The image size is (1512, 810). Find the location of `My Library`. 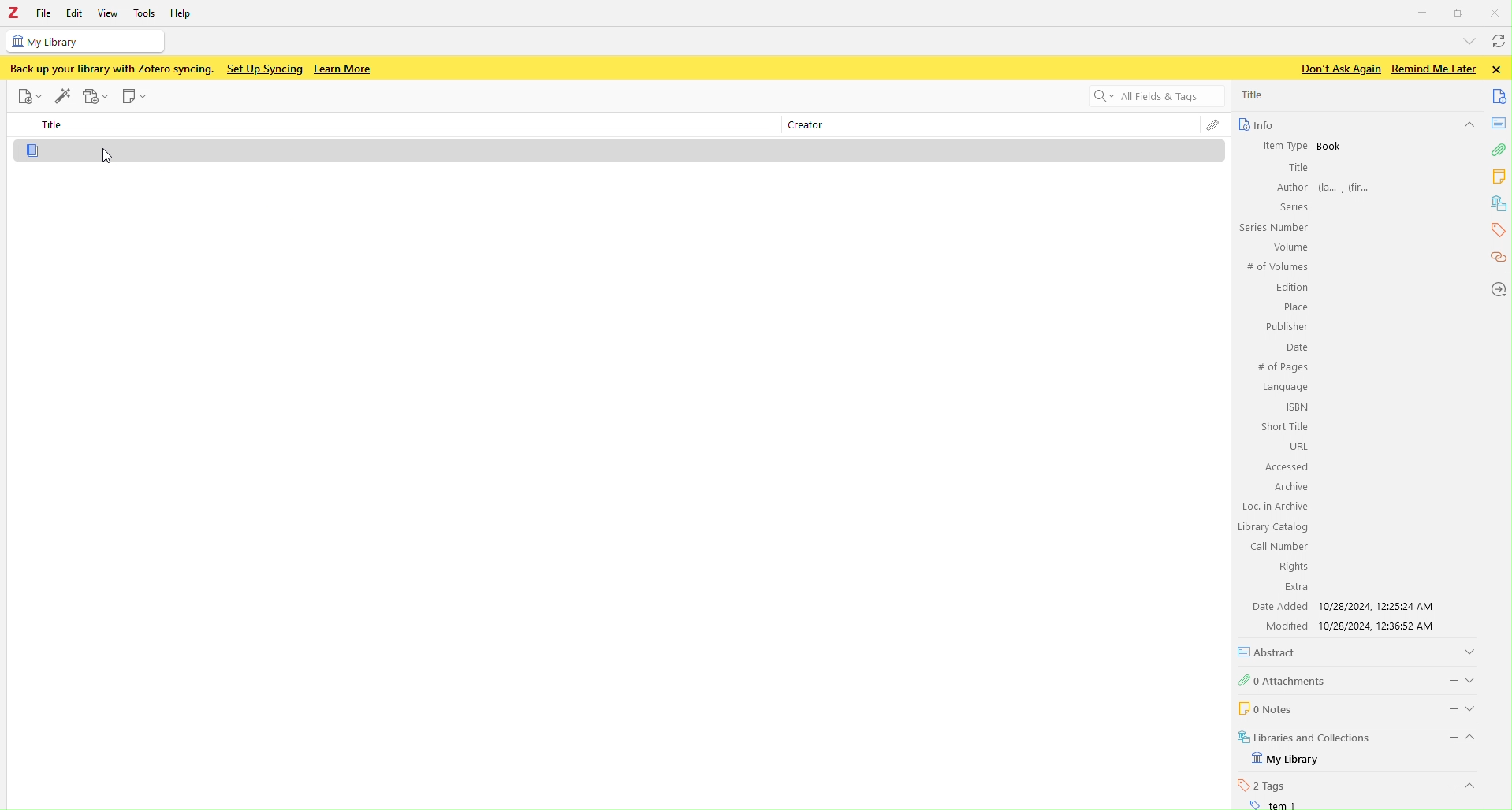

My Library is located at coordinates (84, 41).